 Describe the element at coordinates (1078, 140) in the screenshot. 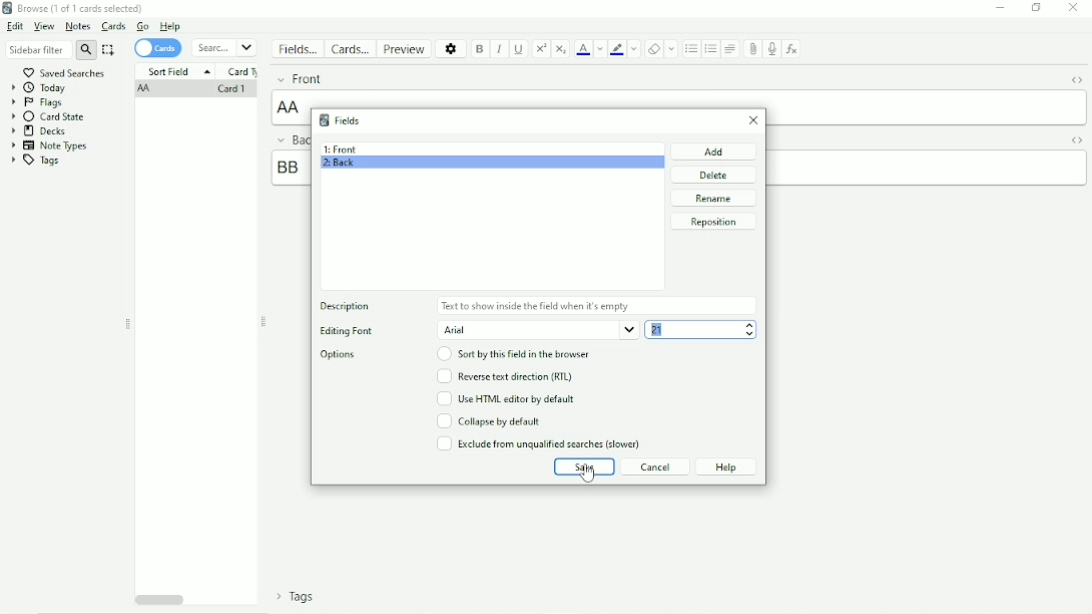

I see `Toggle HTML Editor` at that location.